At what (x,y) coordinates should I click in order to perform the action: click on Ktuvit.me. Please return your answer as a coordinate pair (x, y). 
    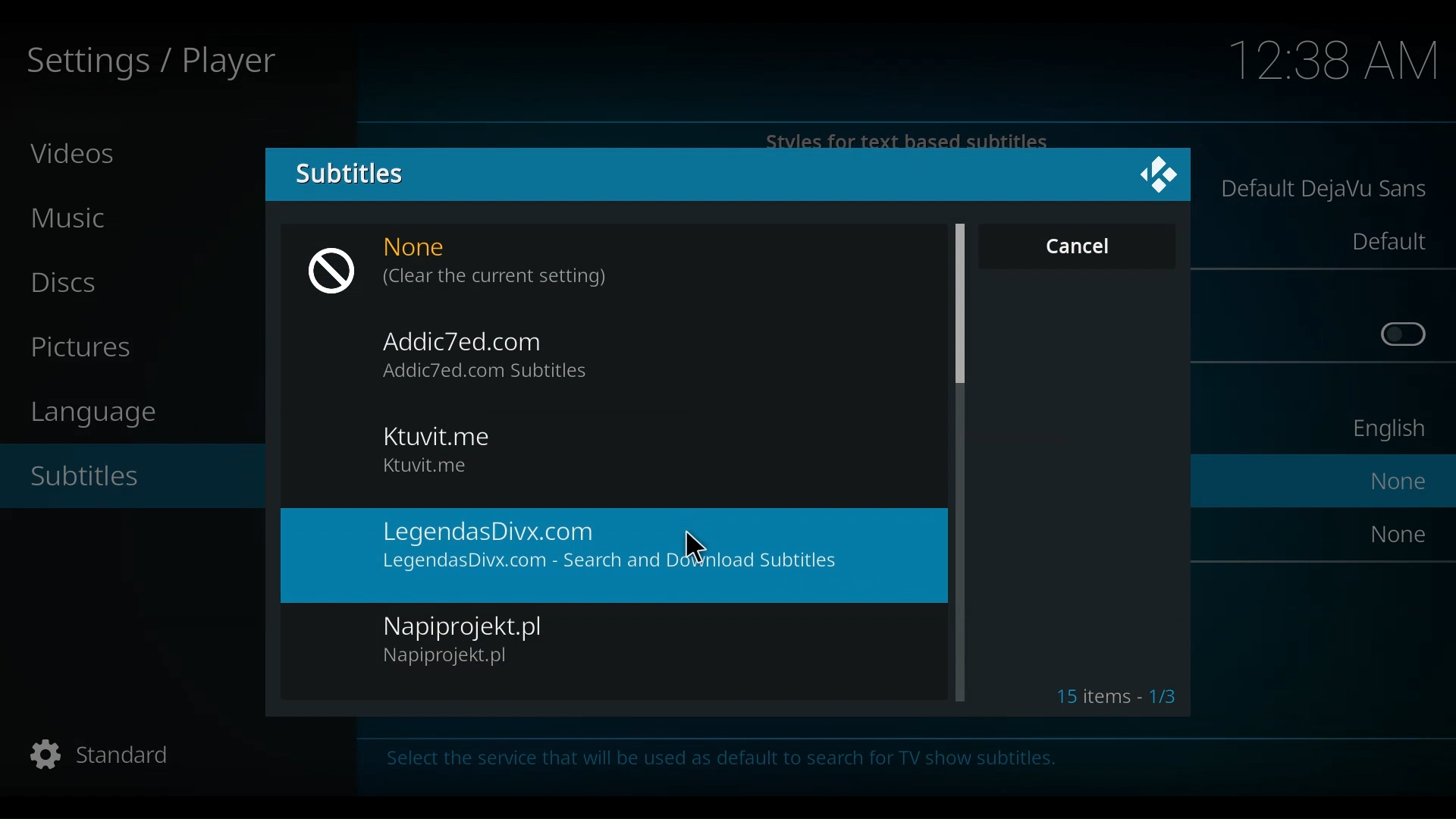
    Looking at the image, I should click on (436, 436).